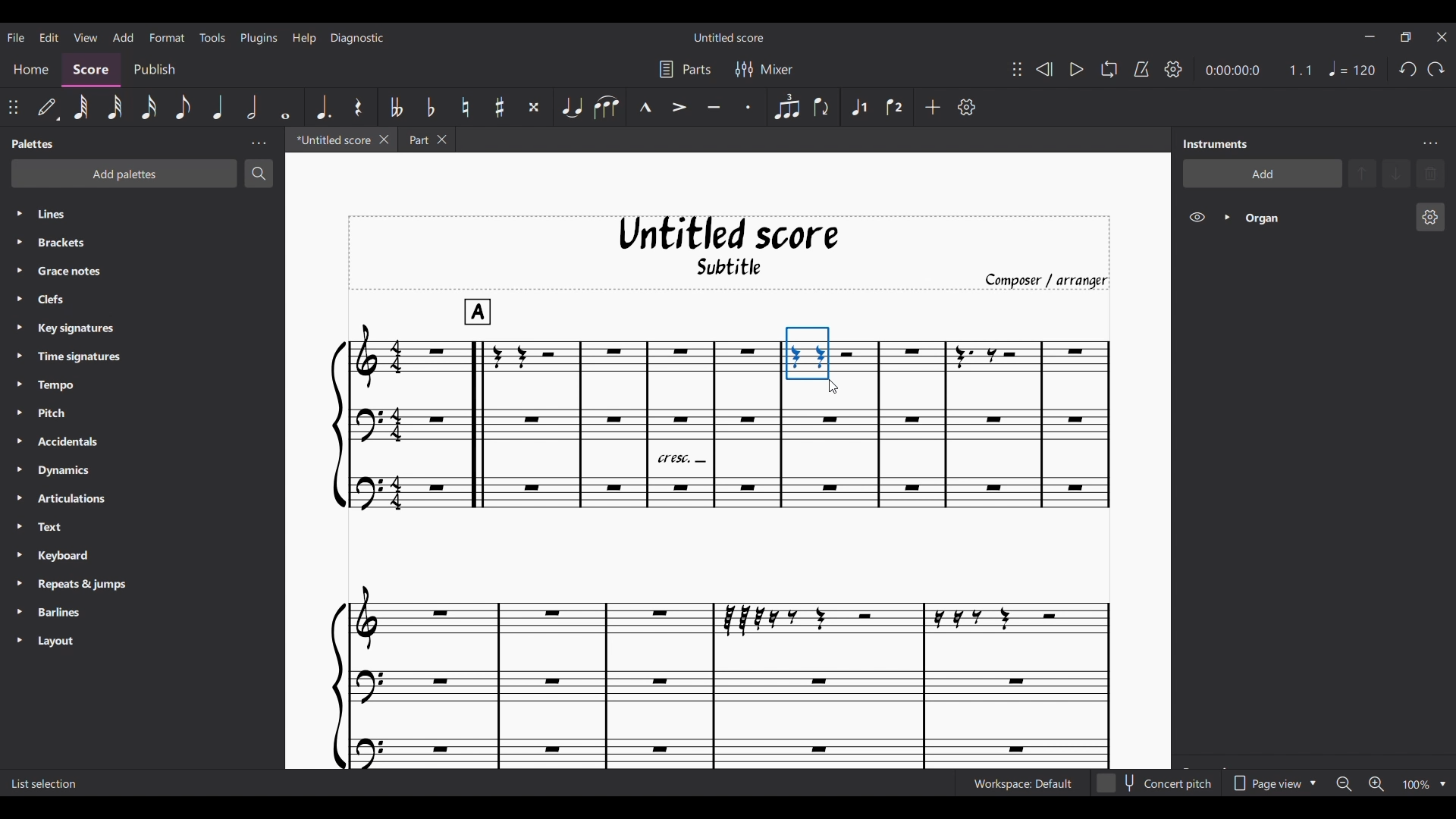 The width and height of the screenshot is (1456, 819). Describe the element at coordinates (748, 108) in the screenshot. I see `Staccato` at that location.